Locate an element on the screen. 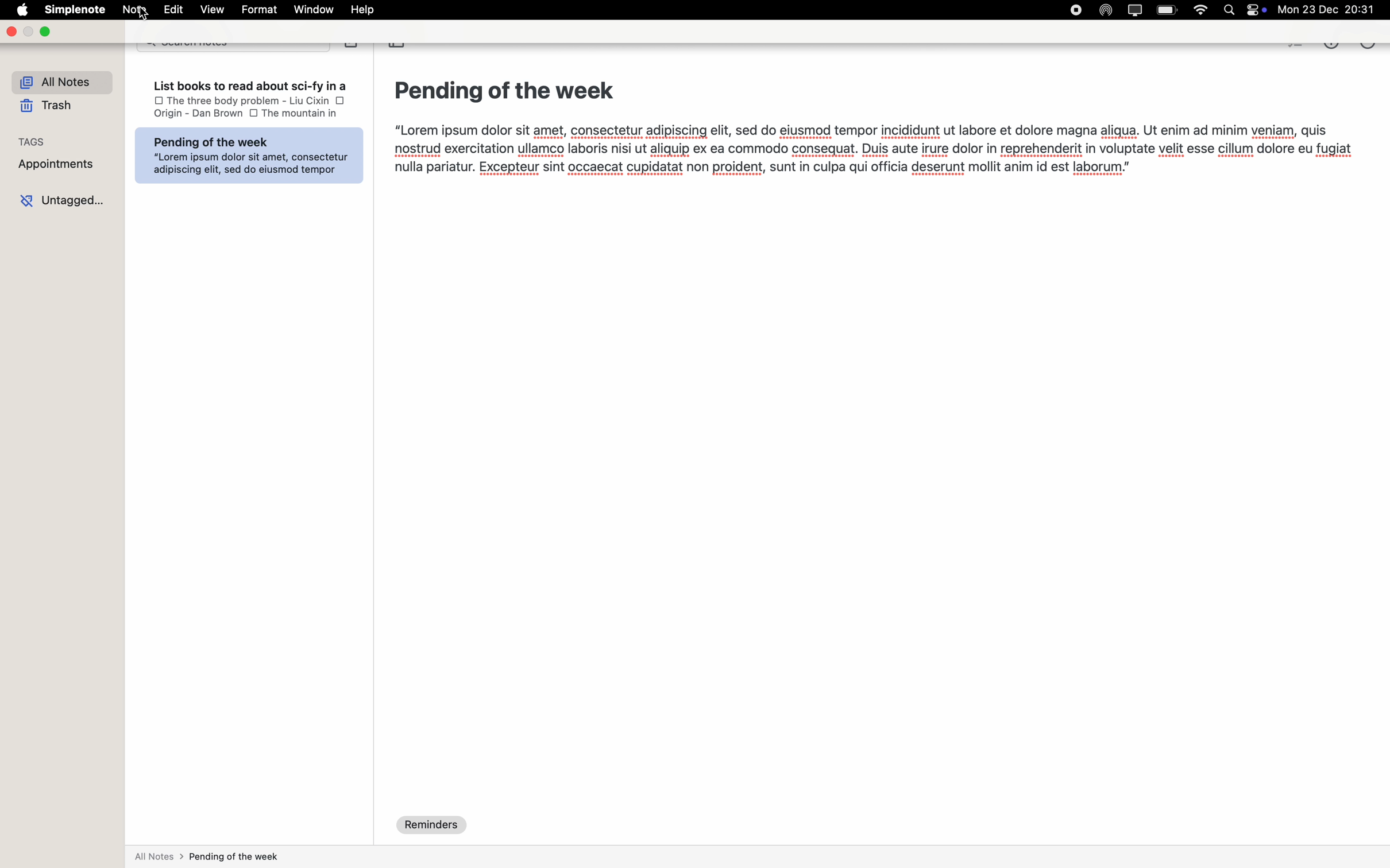 Image resolution: width=1390 pixels, height=868 pixels. Origin - Dan Brown is located at coordinates (194, 116).